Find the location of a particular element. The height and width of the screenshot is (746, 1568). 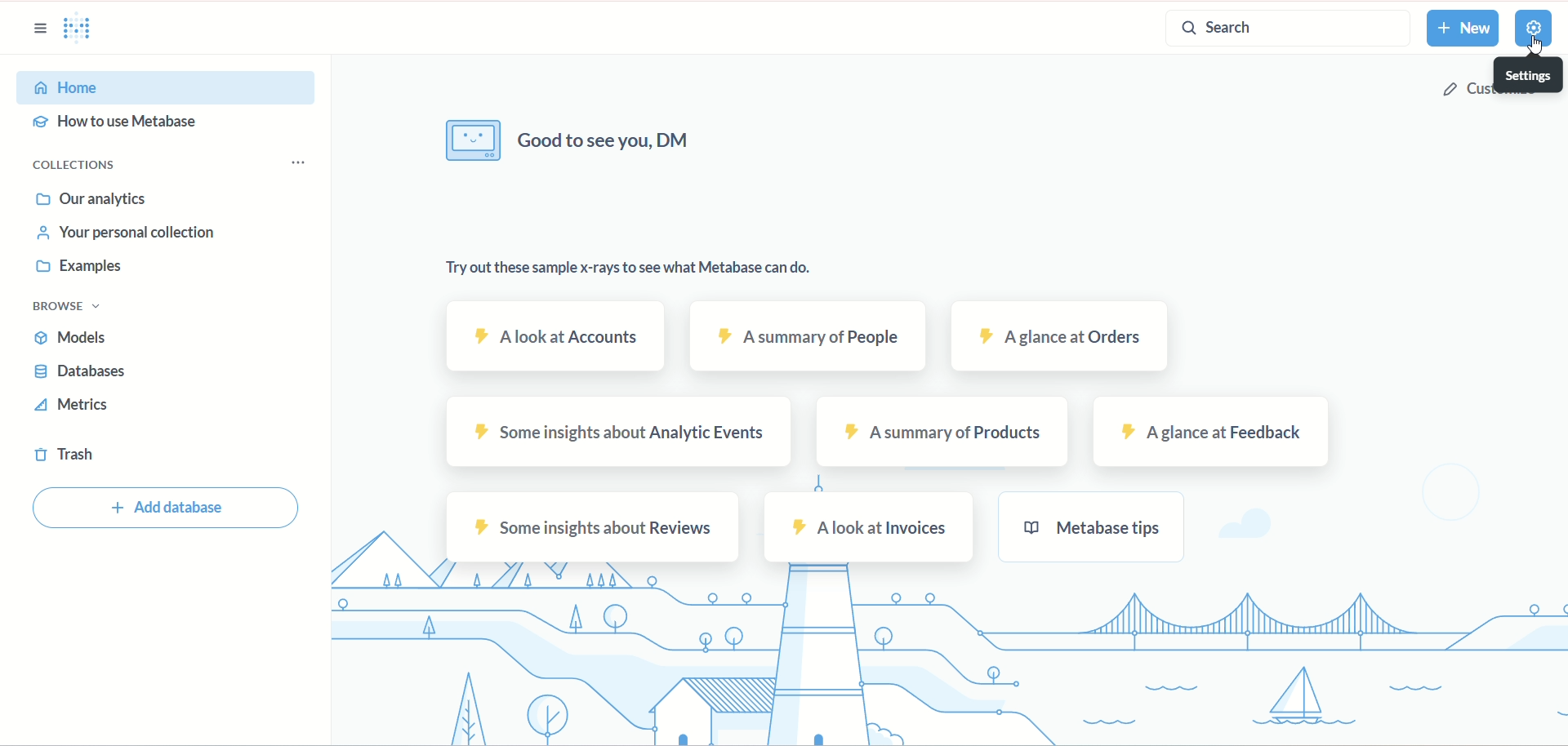

home is located at coordinates (166, 87).